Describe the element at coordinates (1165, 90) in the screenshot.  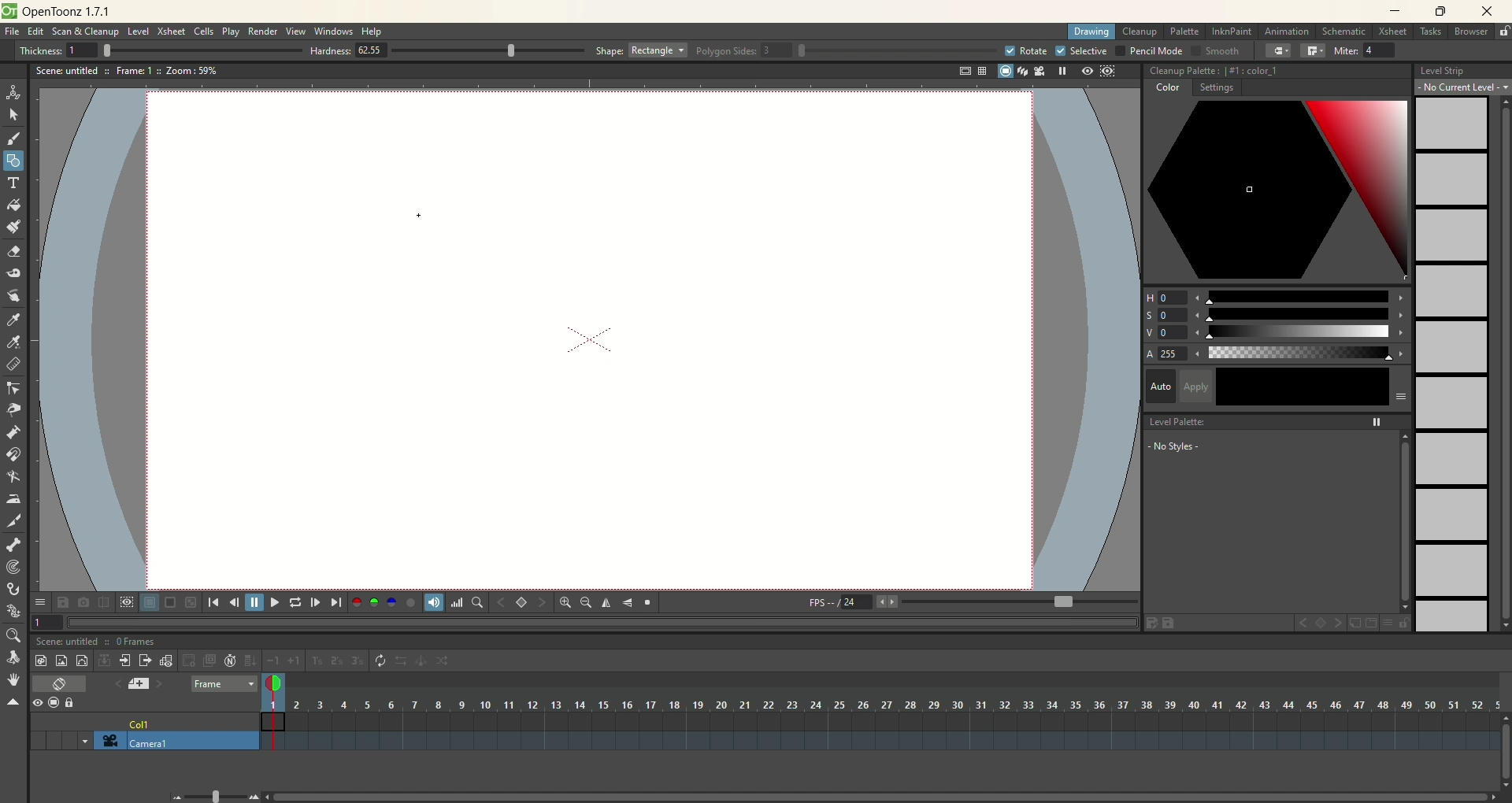
I see `color` at that location.